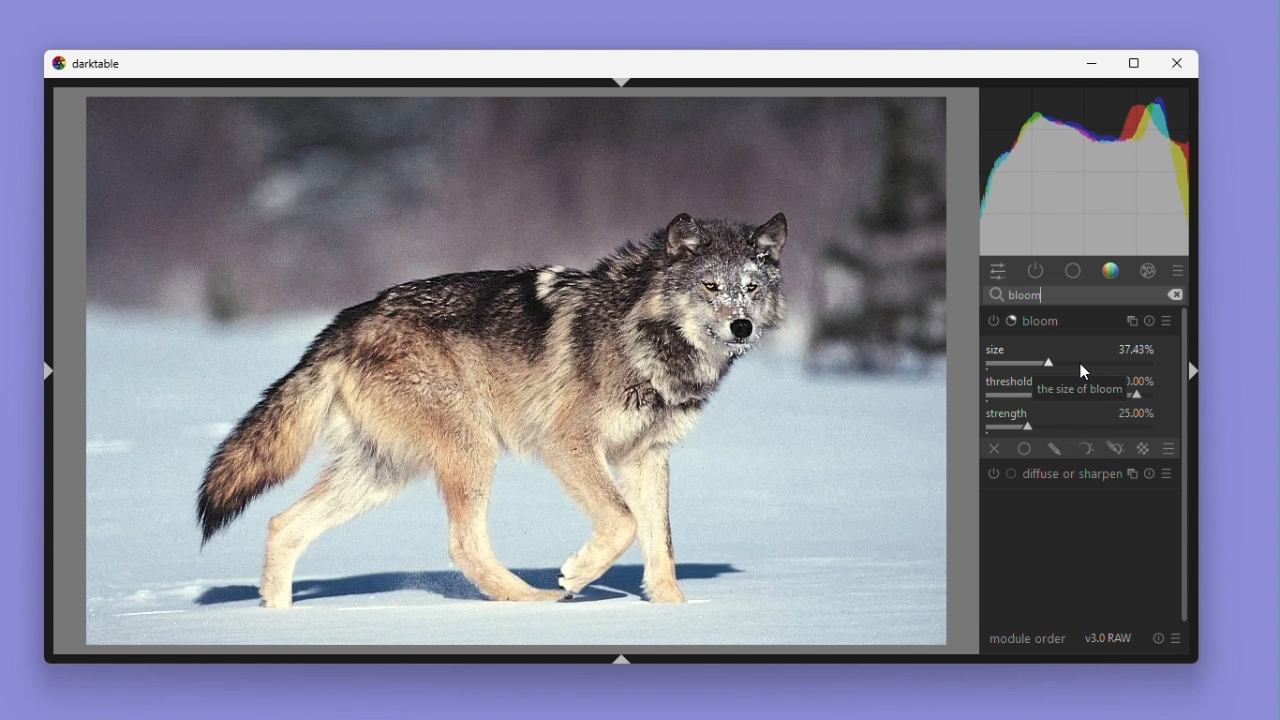 This screenshot has width=1280, height=720. Describe the element at coordinates (1088, 449) in the screenshot. I see `Parameter mask` at that location.